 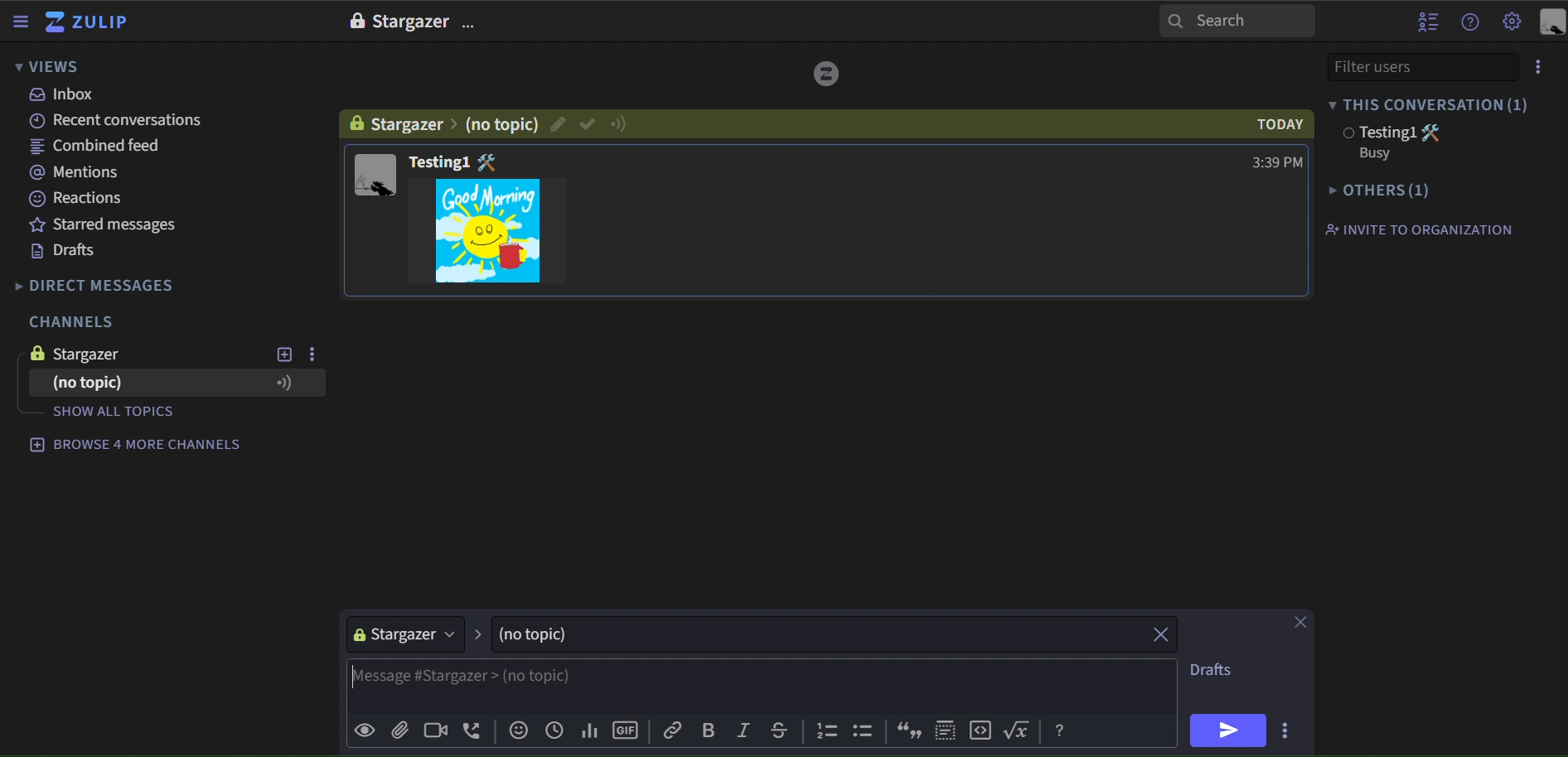 What do you see at coordinates (64, 94) in the screenshot?
I see `inbox` at bounding box center [64, 94].